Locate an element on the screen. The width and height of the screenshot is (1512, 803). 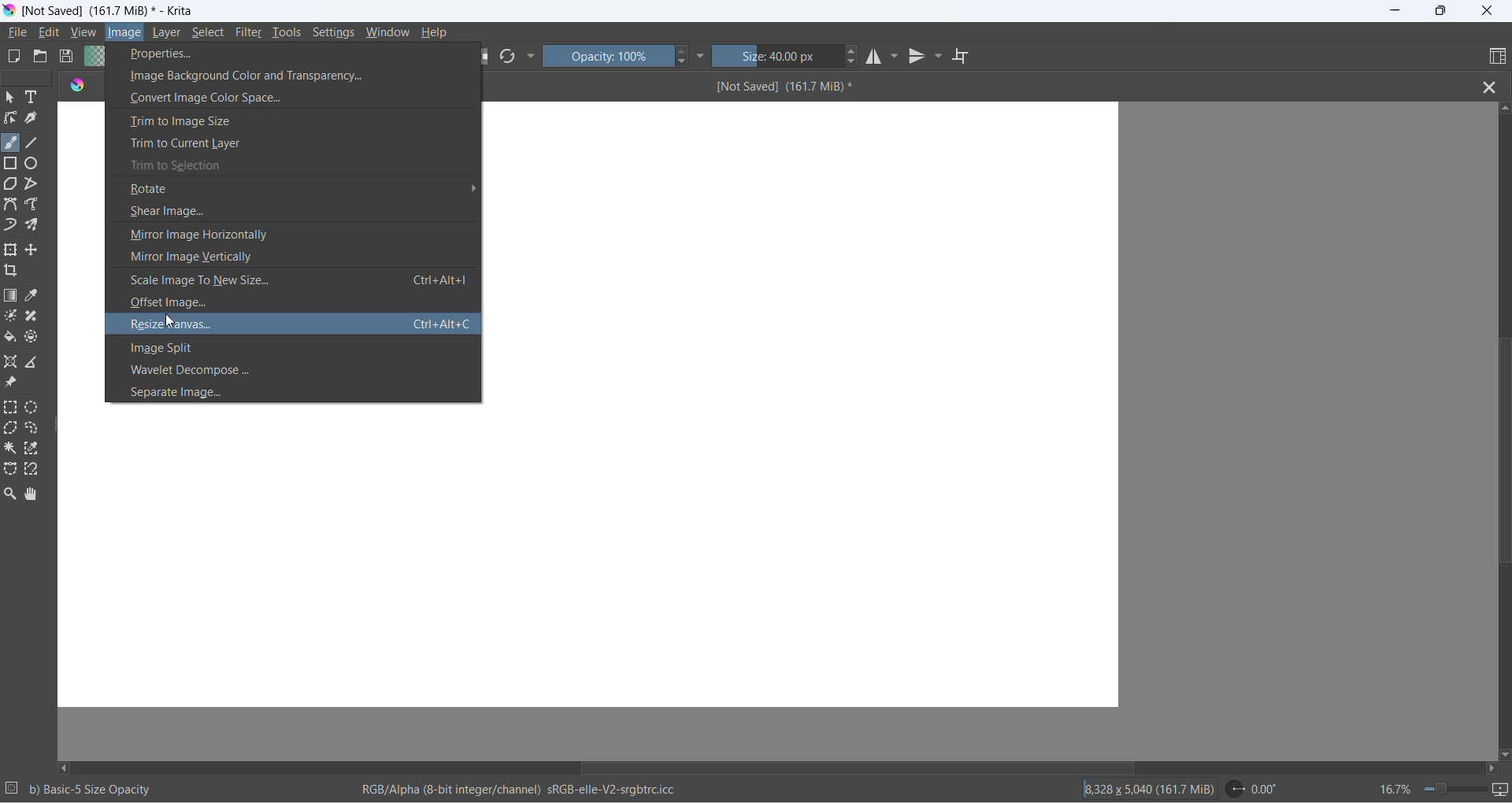
fill gradient  is located at coordinates (92, 58).